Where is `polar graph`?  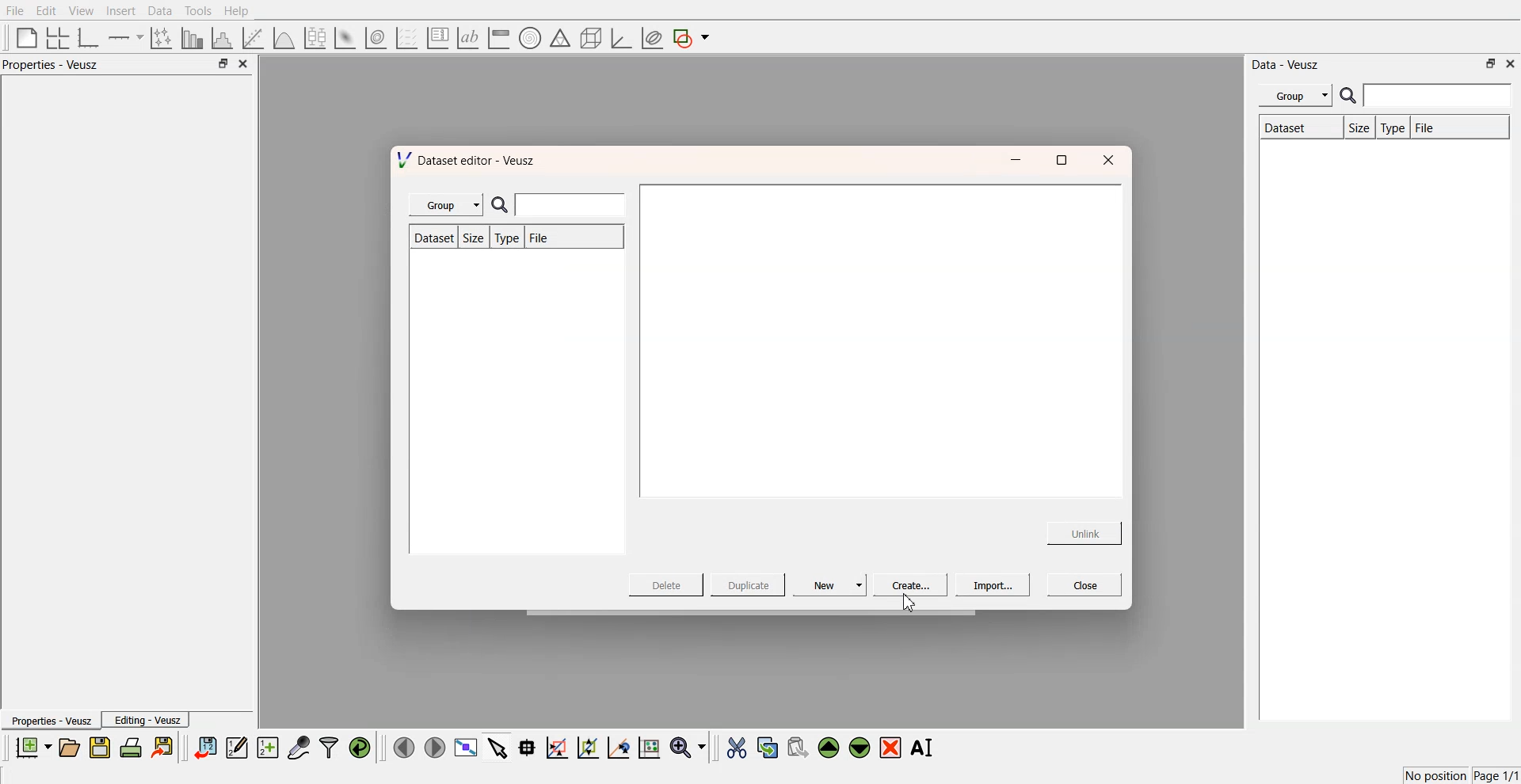
polar graph is located at coordinates (529, 40).